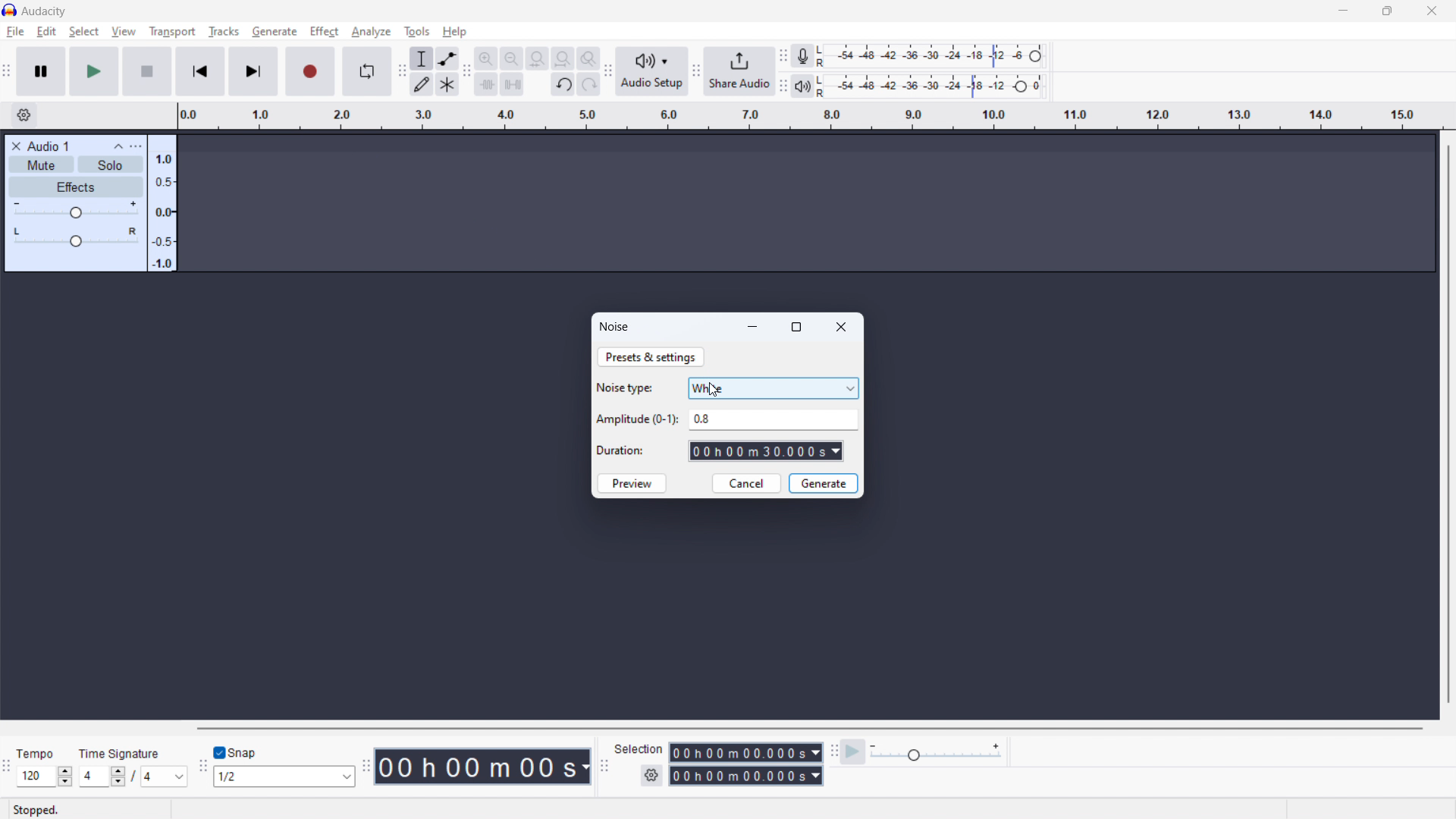 Image resolution: width=1456 pixels, height=819 pixels. I want to click on skip to last, so click(255, 72).